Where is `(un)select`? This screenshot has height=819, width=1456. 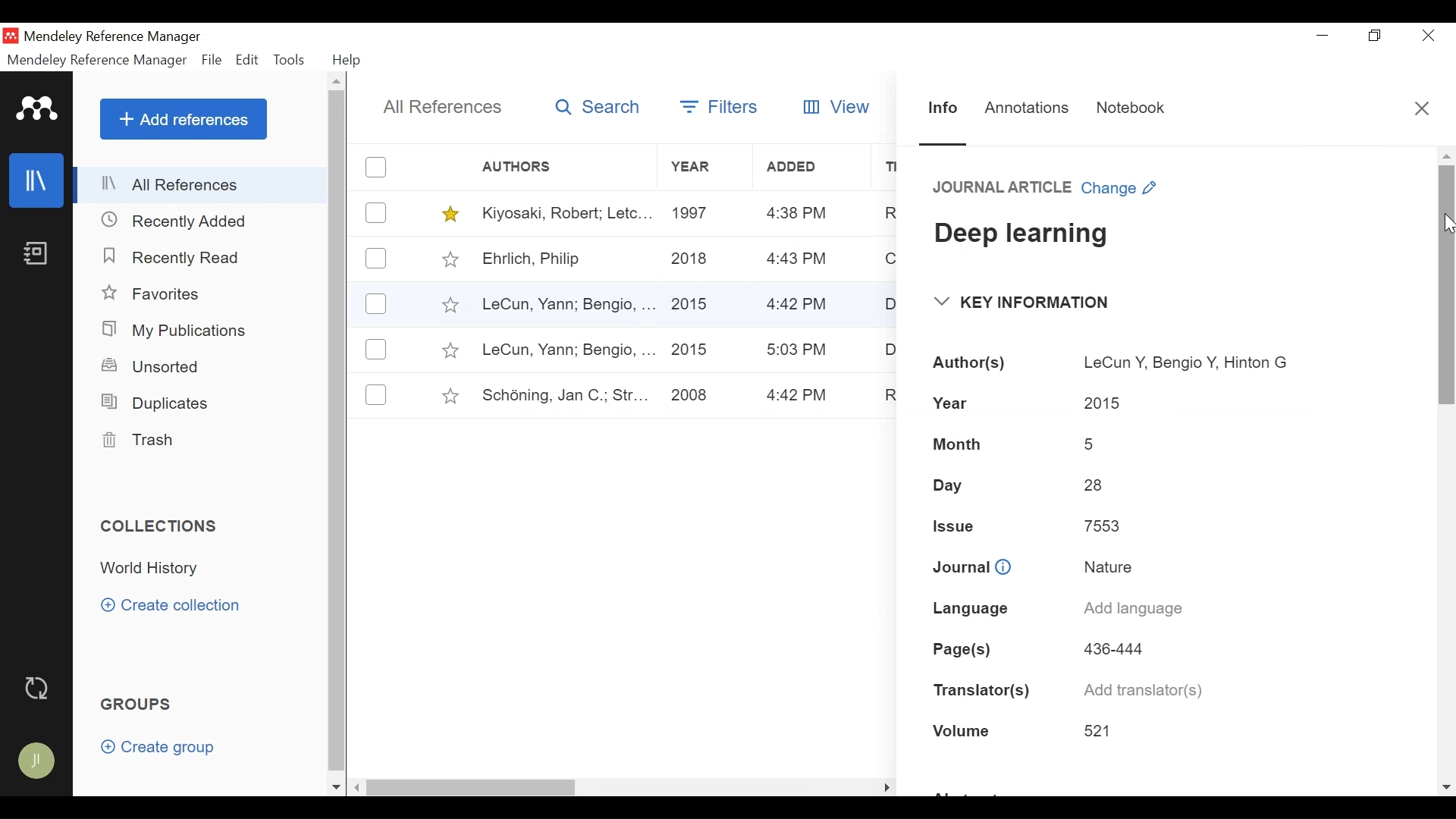
(un)select is located at coordinates (376, 394).